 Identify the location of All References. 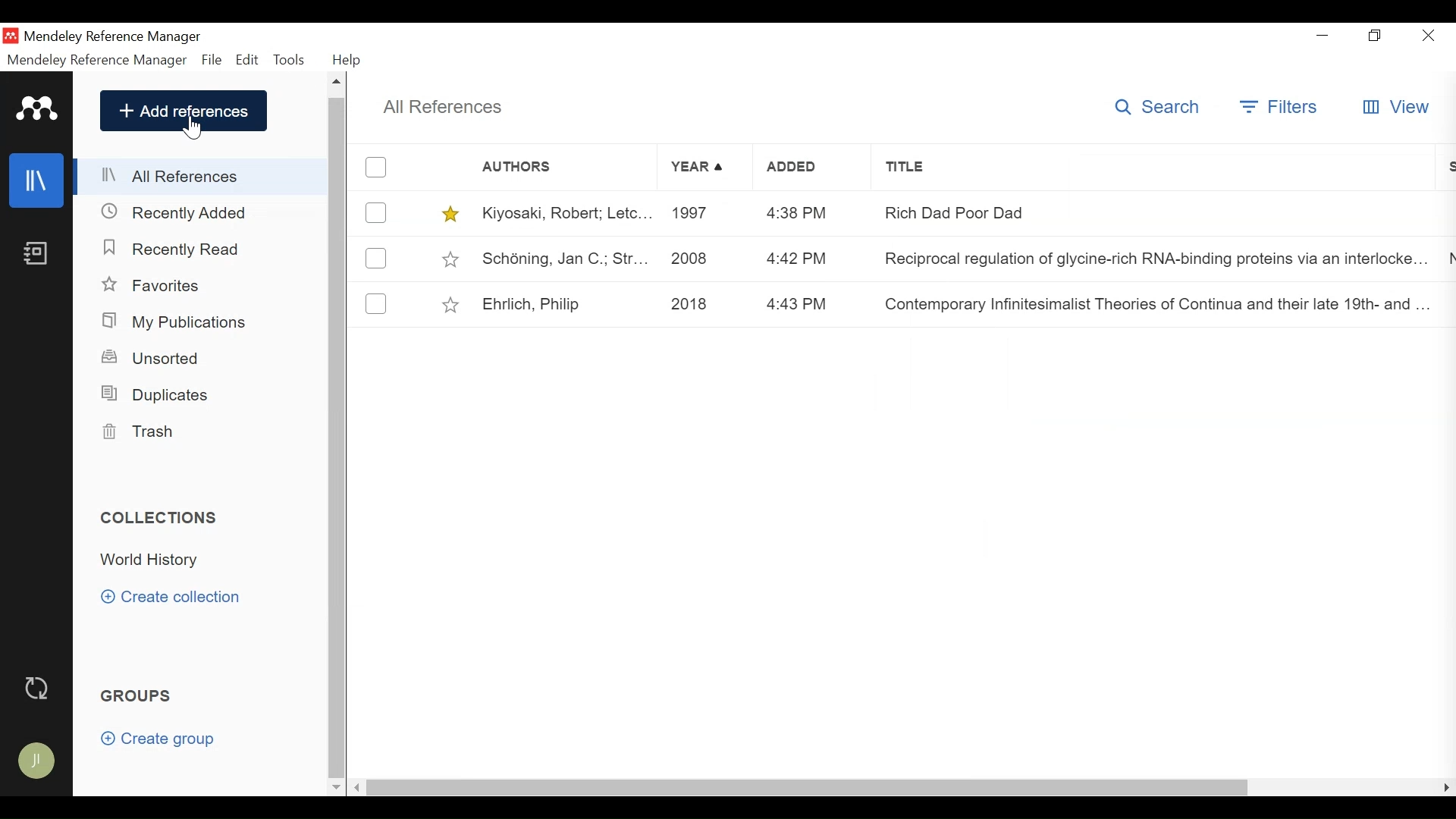
(442, 106).